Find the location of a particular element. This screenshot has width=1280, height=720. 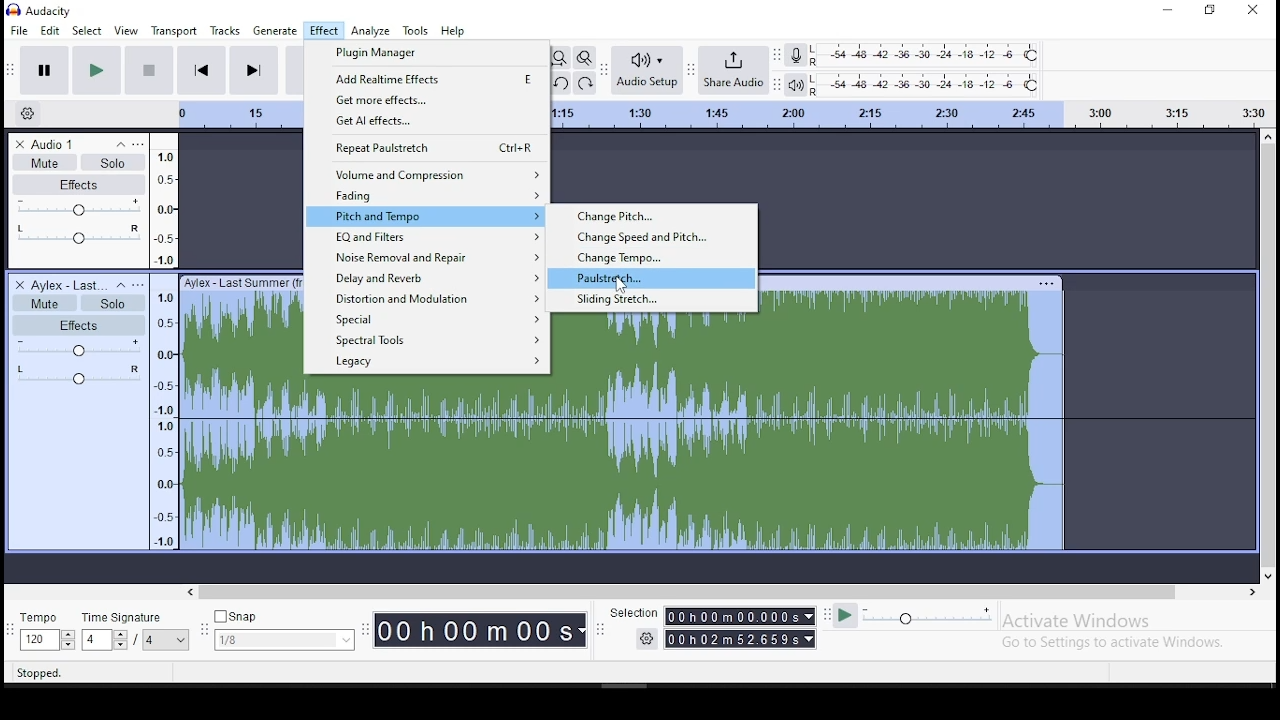

tempo is located at coordinates (46, 632).